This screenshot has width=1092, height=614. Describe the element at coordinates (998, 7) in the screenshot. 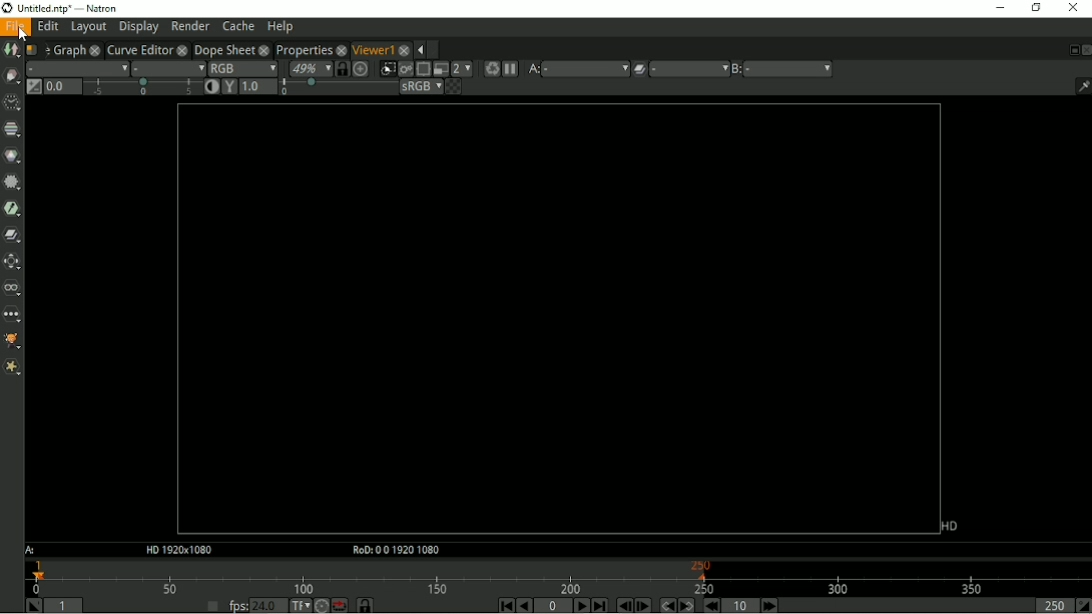

I see `Minimize` at that location.